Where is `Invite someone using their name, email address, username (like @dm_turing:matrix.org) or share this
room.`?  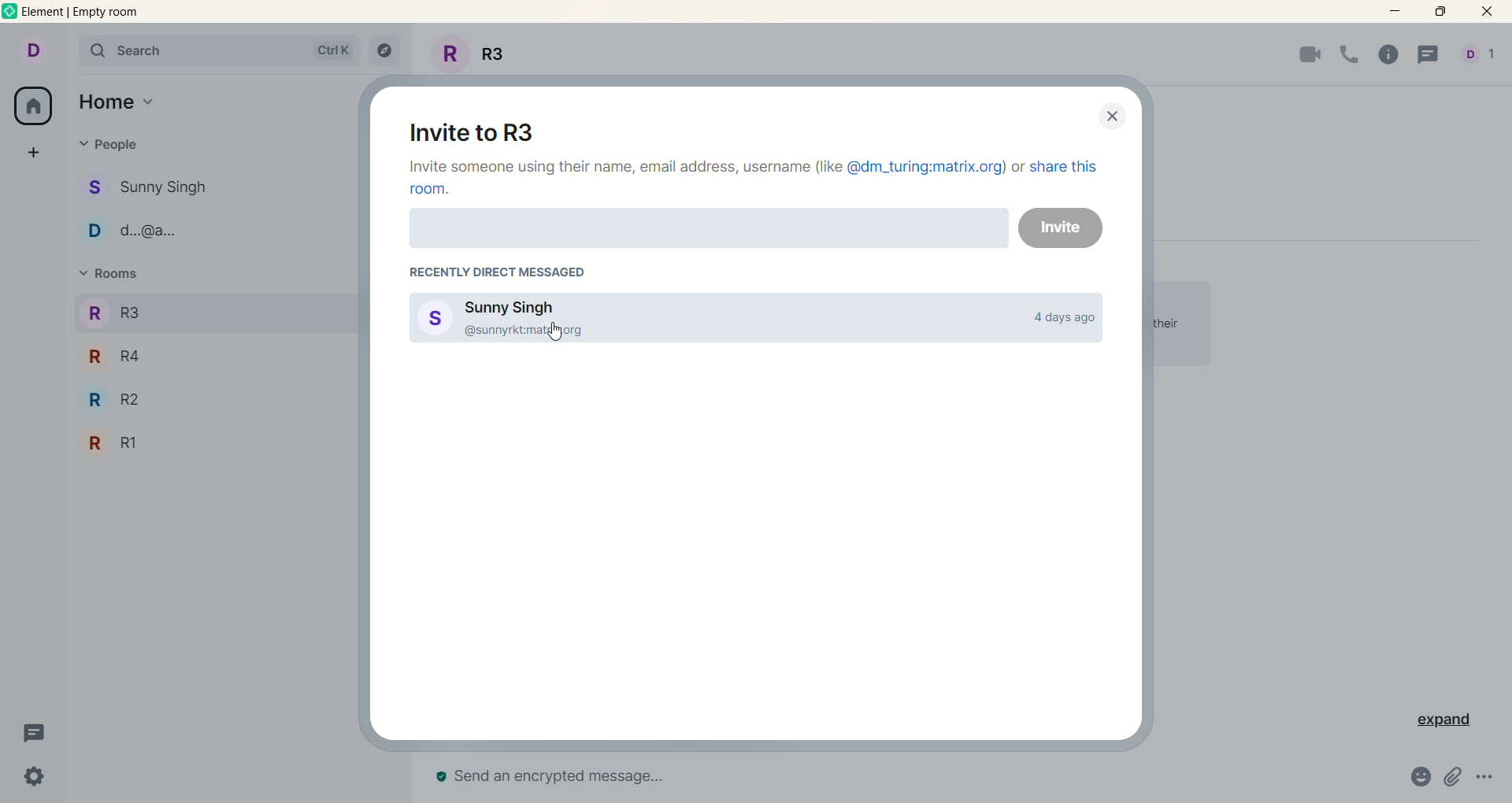
Invite someone using their name, email address, username (like @dm_turing:matrix.org) or share this
room. is located at coordinates (754, 179).